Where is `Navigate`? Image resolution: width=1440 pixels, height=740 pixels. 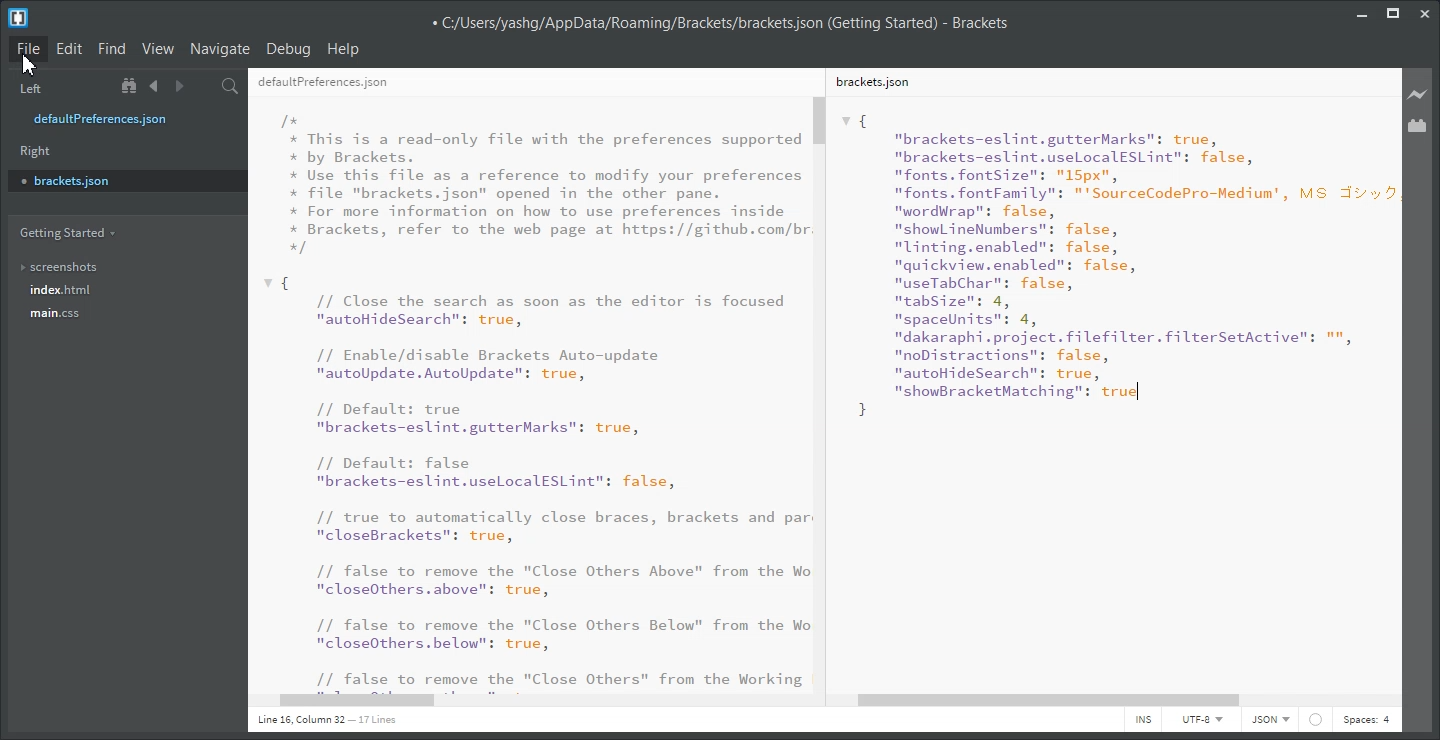 Navigate is located at coordinates (221, 49).